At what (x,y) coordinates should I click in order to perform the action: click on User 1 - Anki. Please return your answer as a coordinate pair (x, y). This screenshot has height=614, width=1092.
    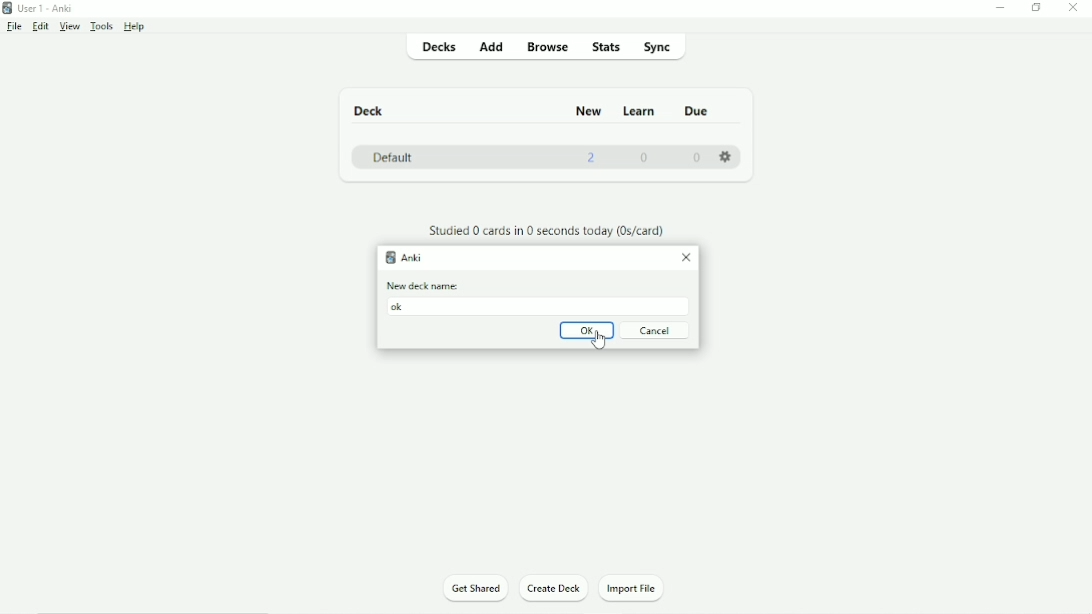
    Looking at the image, I should click on (44, 8).